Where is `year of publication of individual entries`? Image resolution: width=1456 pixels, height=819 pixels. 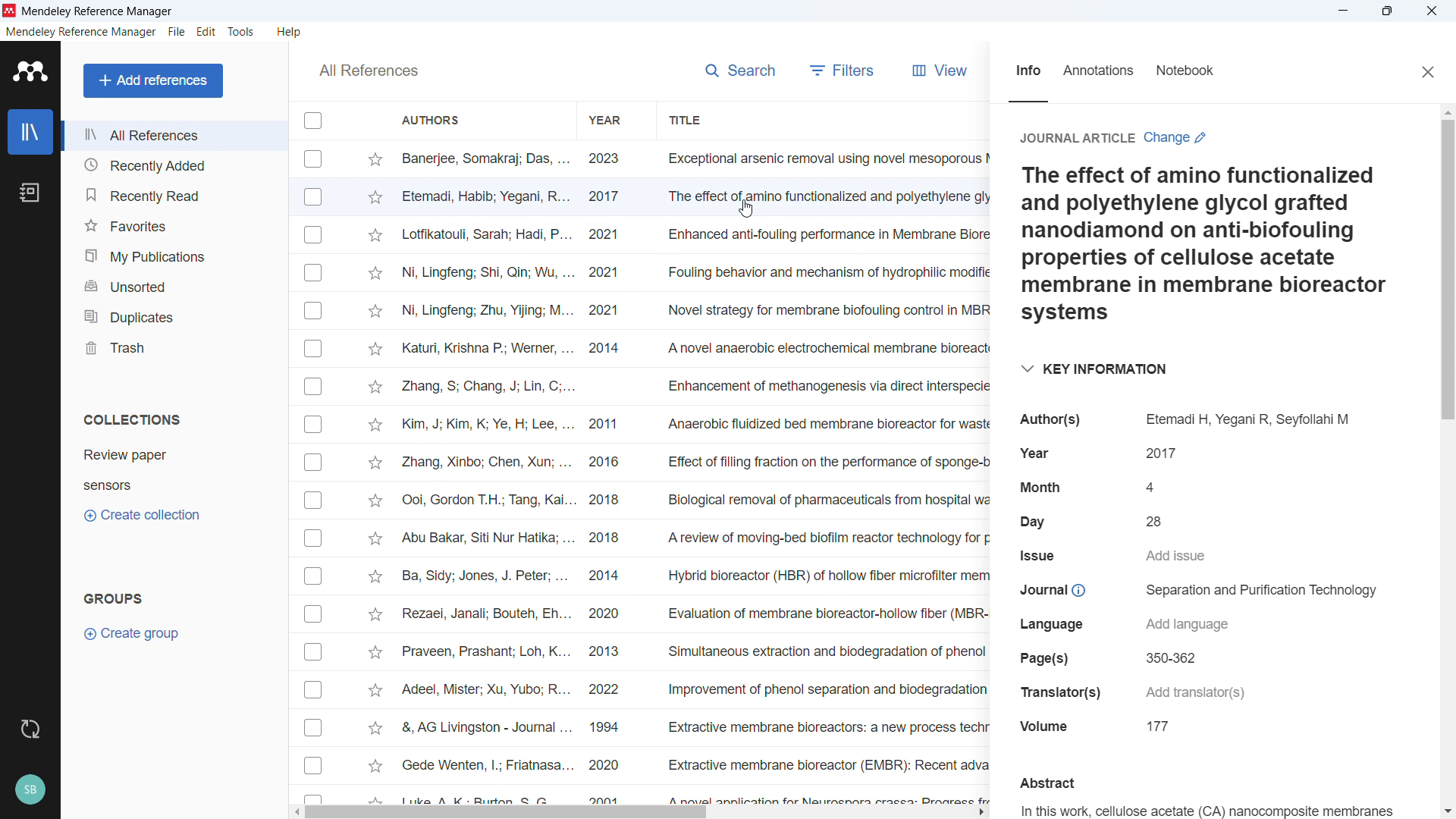 year of publication of individual entries is located at coordinates (605, 475).